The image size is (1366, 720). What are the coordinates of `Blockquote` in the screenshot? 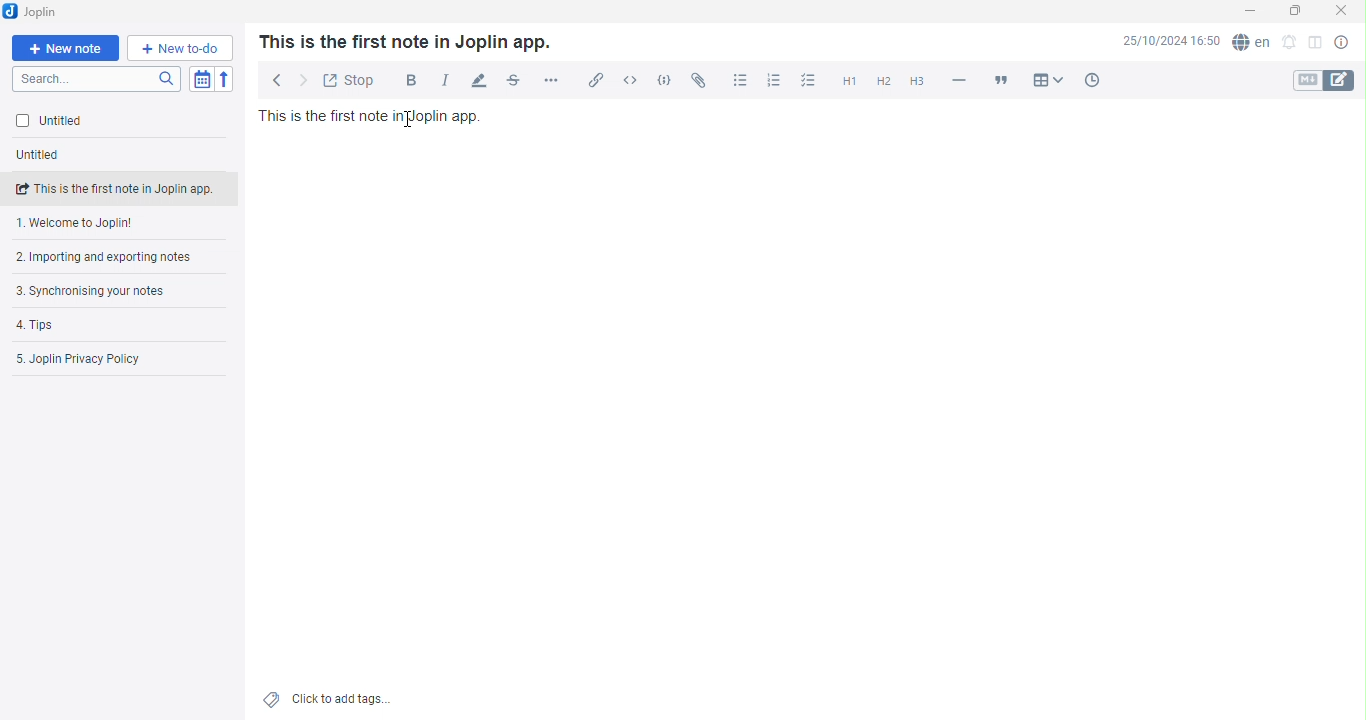 It's located at (1004, 78).